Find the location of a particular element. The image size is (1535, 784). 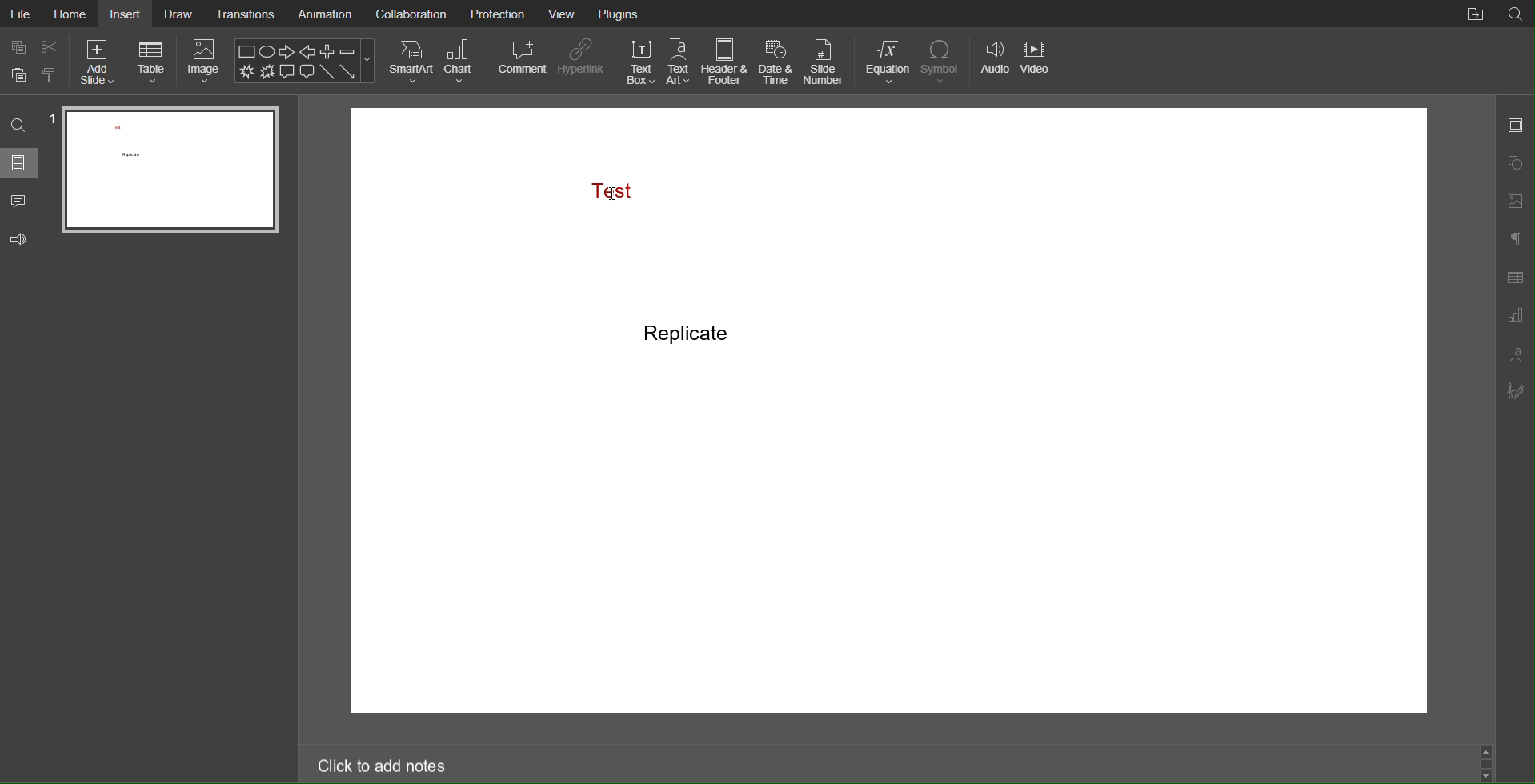

Comment is located at coordinates (18, 202).